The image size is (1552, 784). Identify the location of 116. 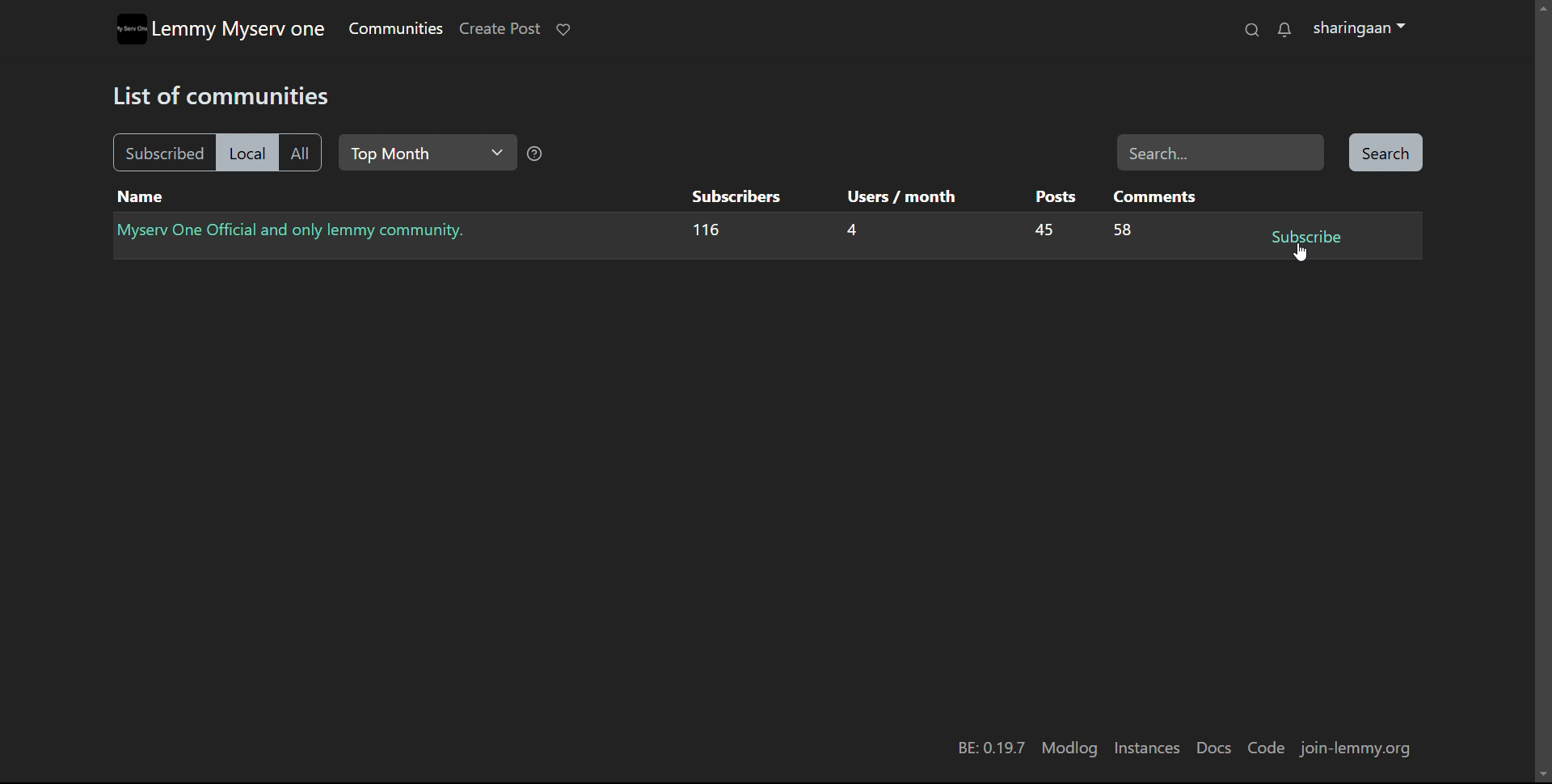
(706, 233).